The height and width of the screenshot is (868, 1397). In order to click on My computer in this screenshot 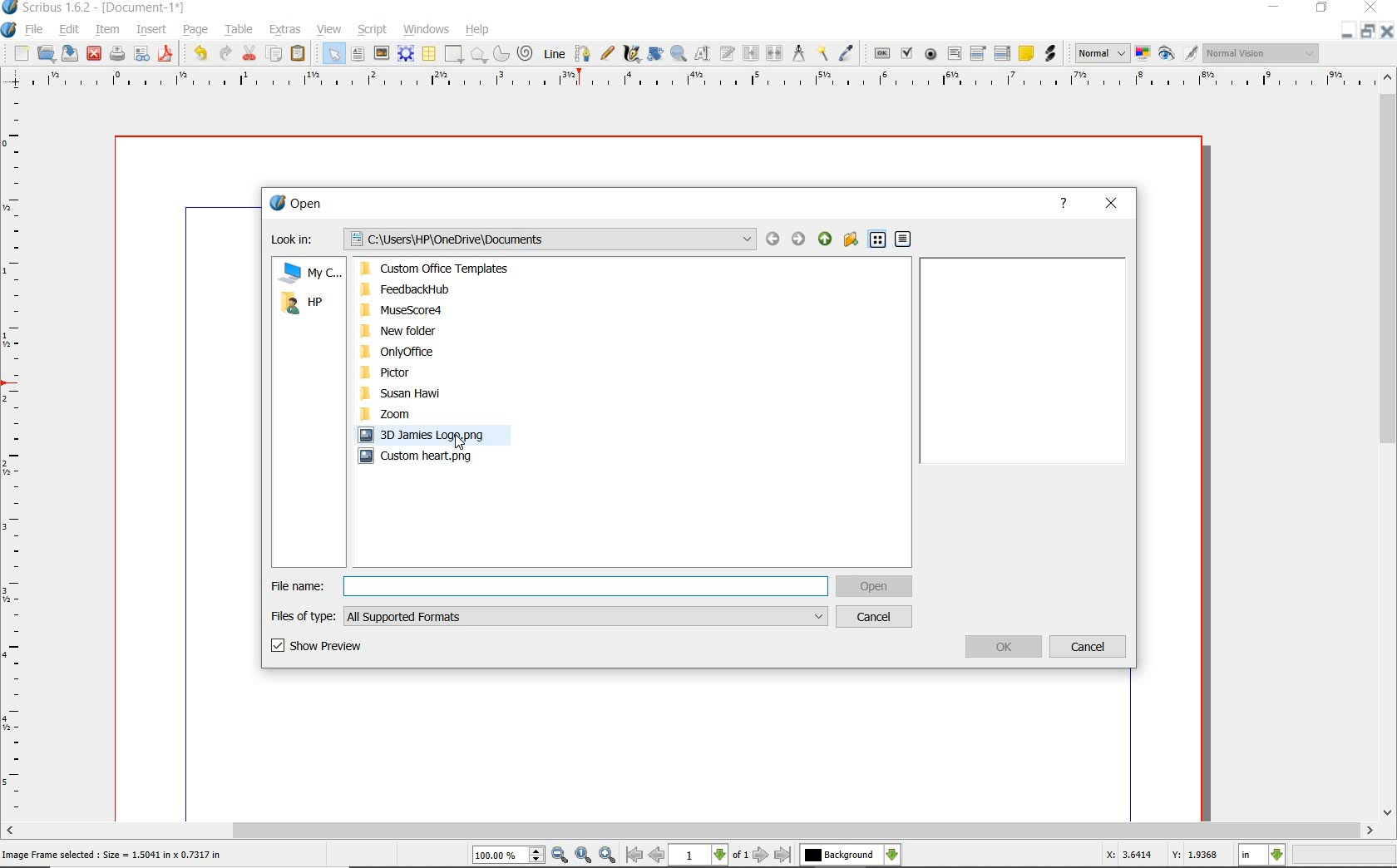, I will do `click(310, 272)`.